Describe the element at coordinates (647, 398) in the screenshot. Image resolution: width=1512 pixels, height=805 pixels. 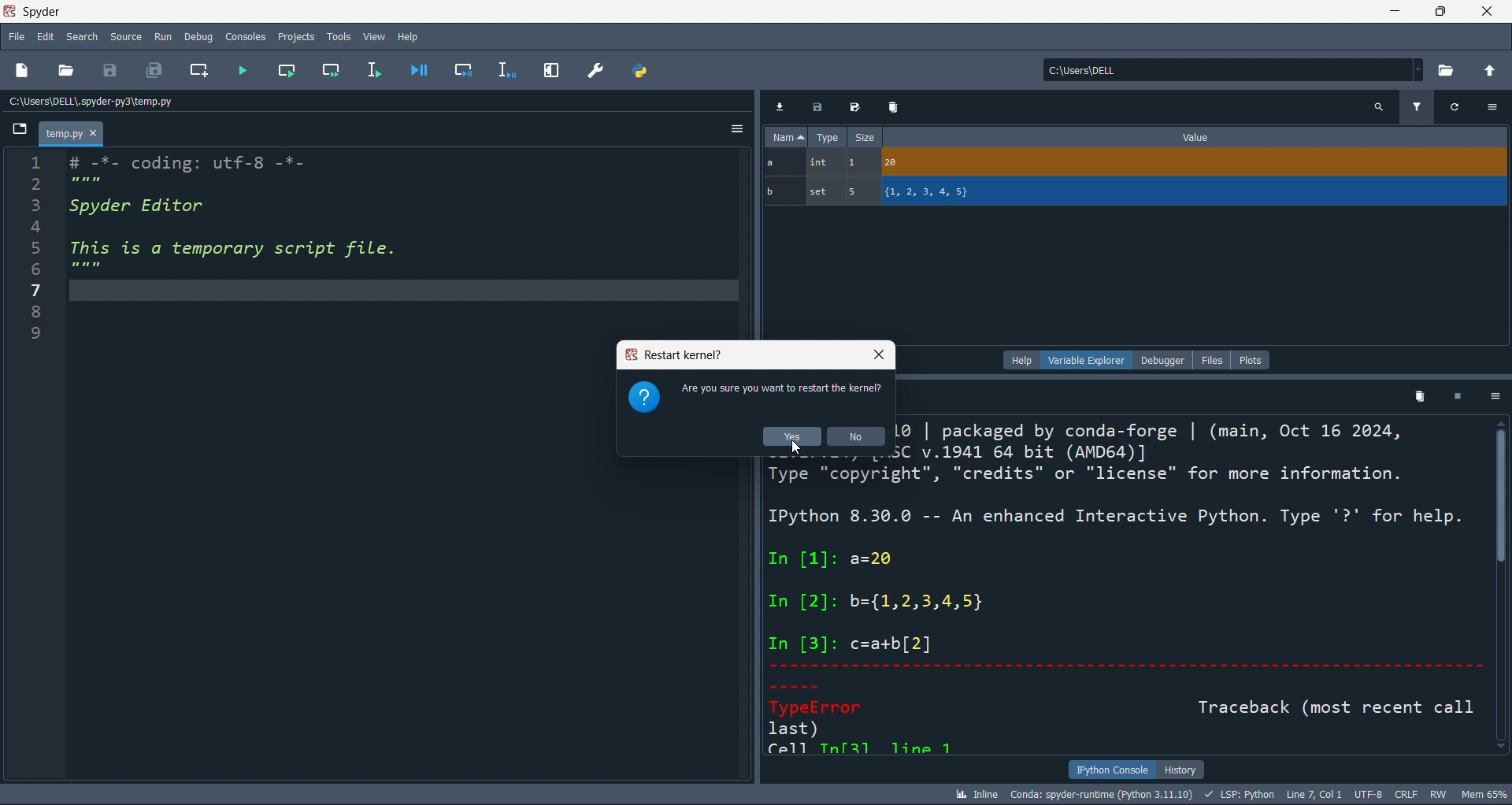
I see `question mark` at that location.